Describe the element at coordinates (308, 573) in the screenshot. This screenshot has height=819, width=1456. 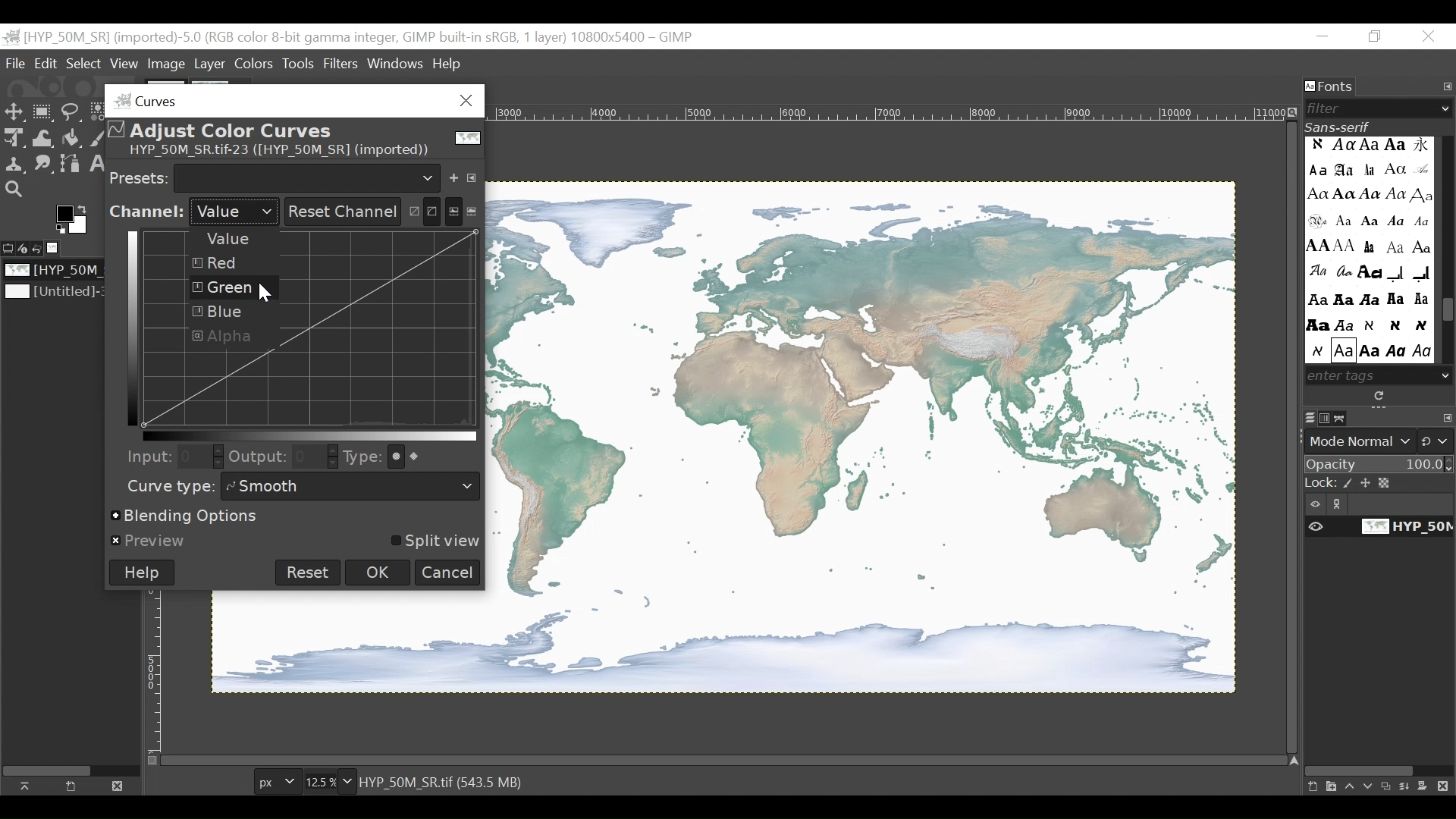
I see `Reset` at that location.